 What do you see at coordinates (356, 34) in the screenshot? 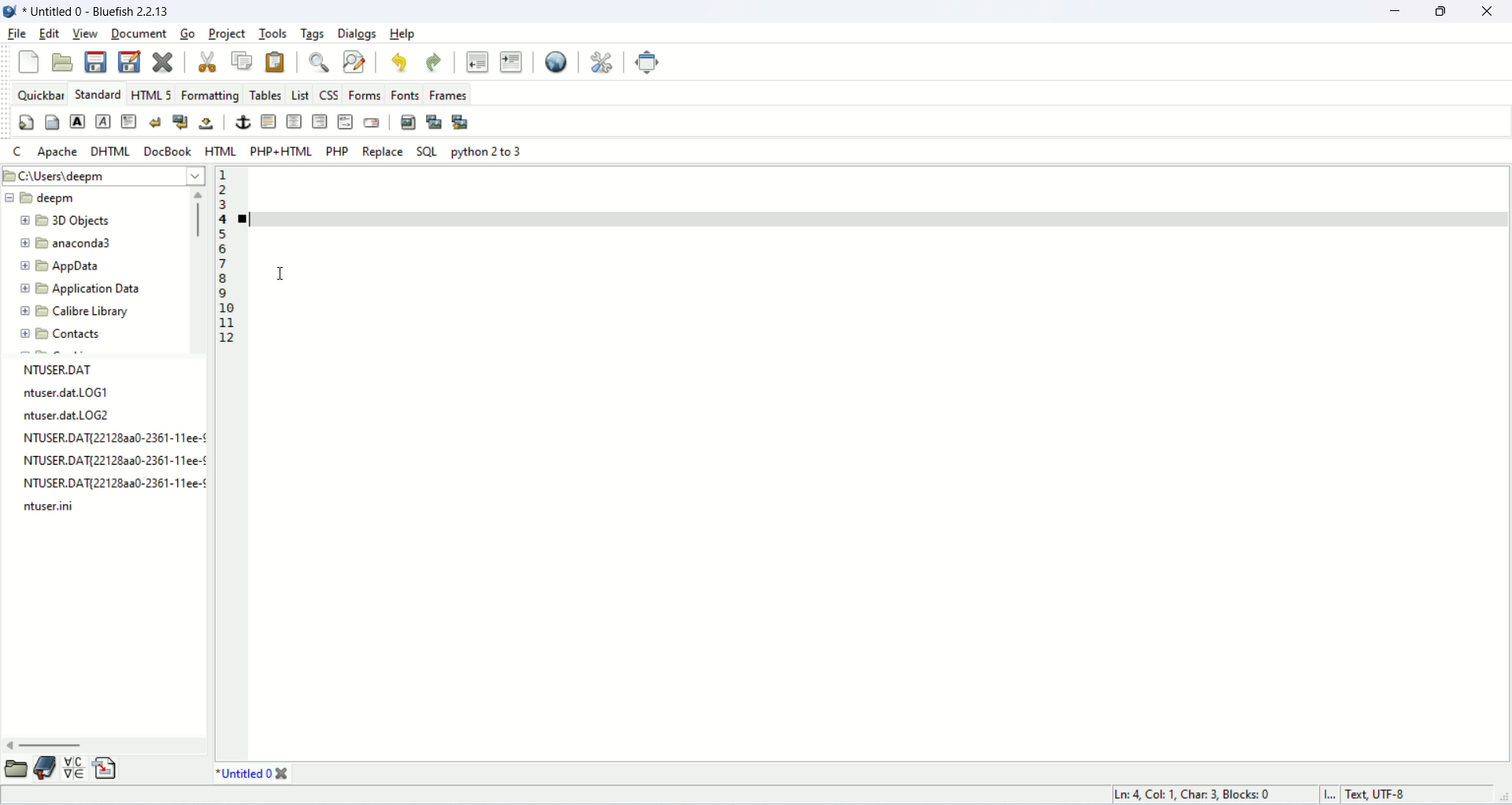
I see `dialogs` at bounding box center [356, 34].